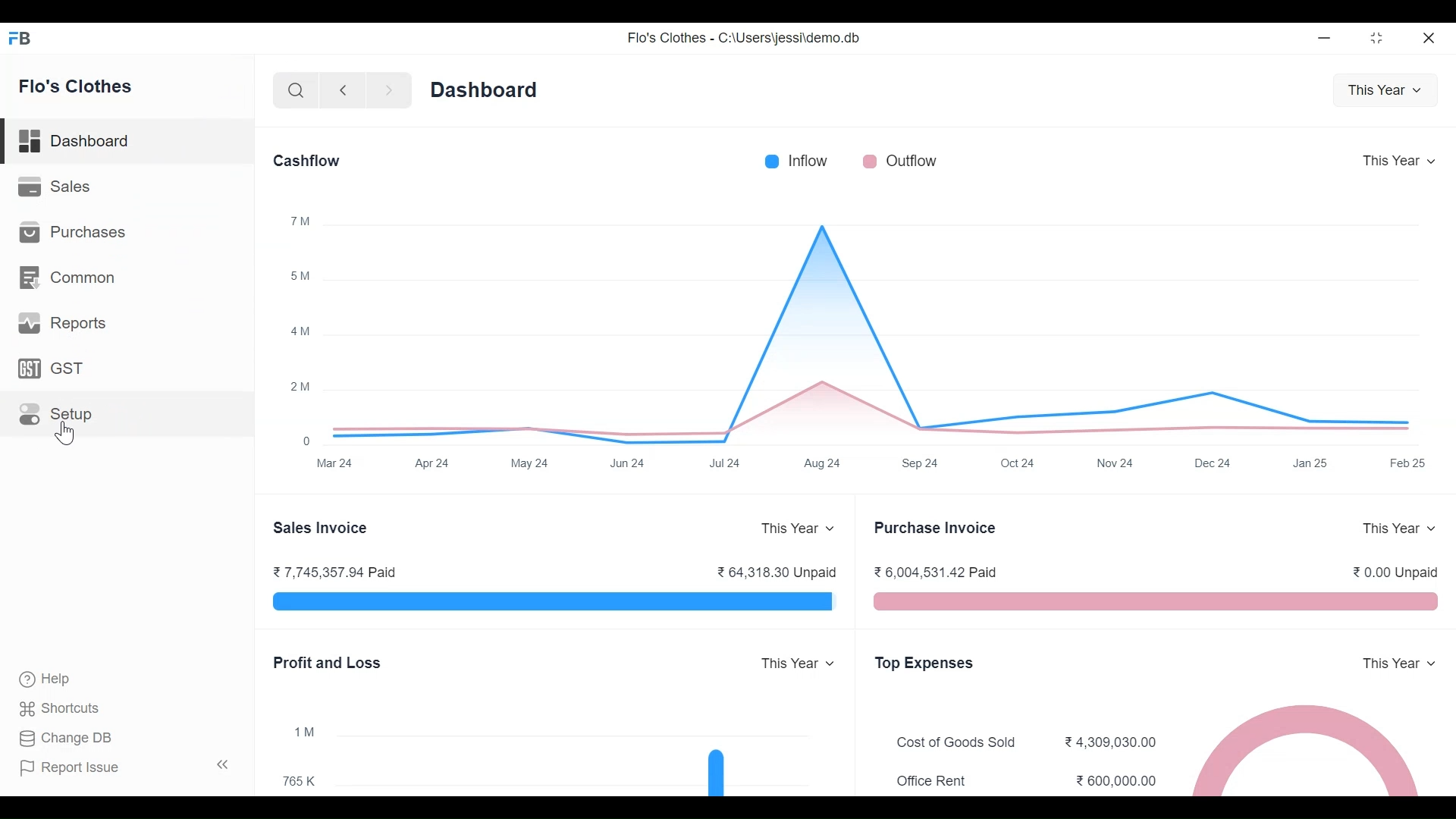 This screenshot has width=1456, height=819. What do you see at coordinates (1395, 161) in the screenshot?
I see `This Year` at bounding box center [1395, 161].